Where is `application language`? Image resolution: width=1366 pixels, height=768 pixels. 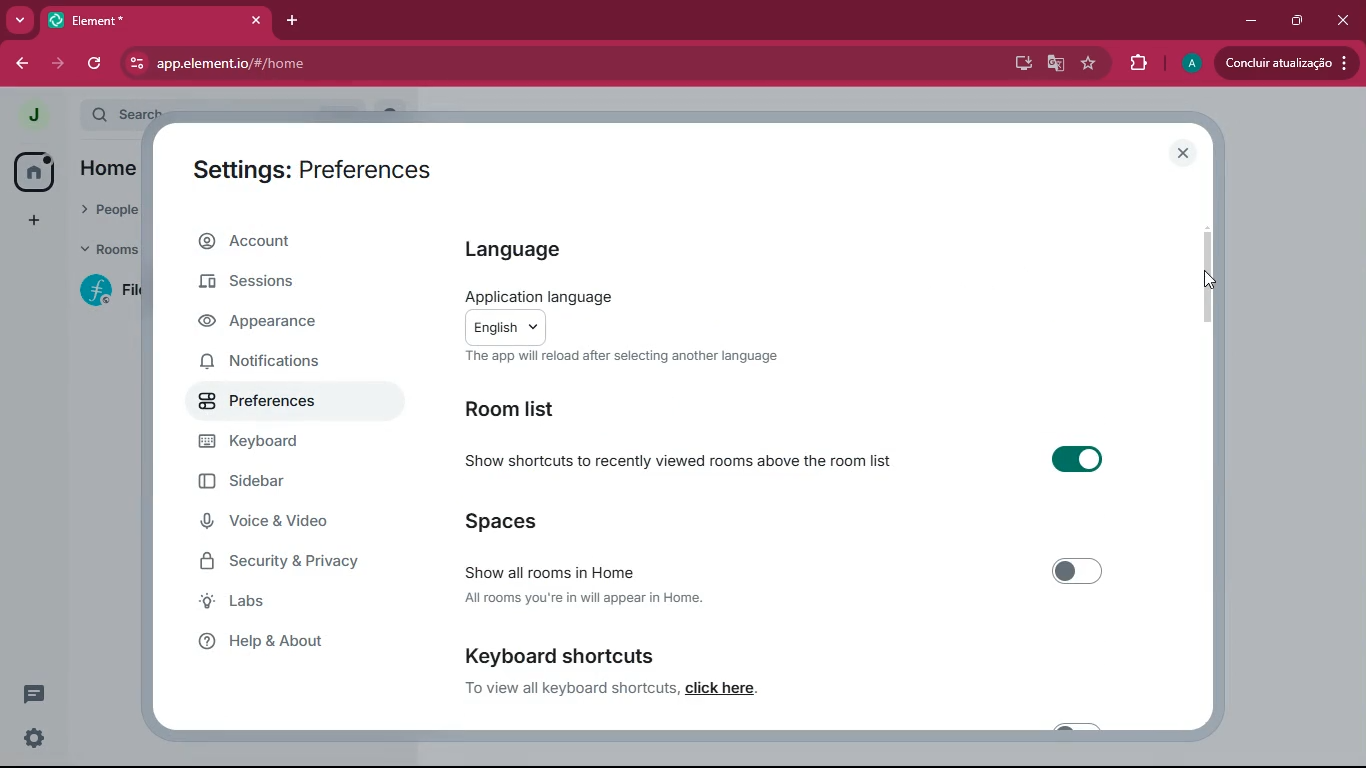 application language is located at coordinates (538, 296).